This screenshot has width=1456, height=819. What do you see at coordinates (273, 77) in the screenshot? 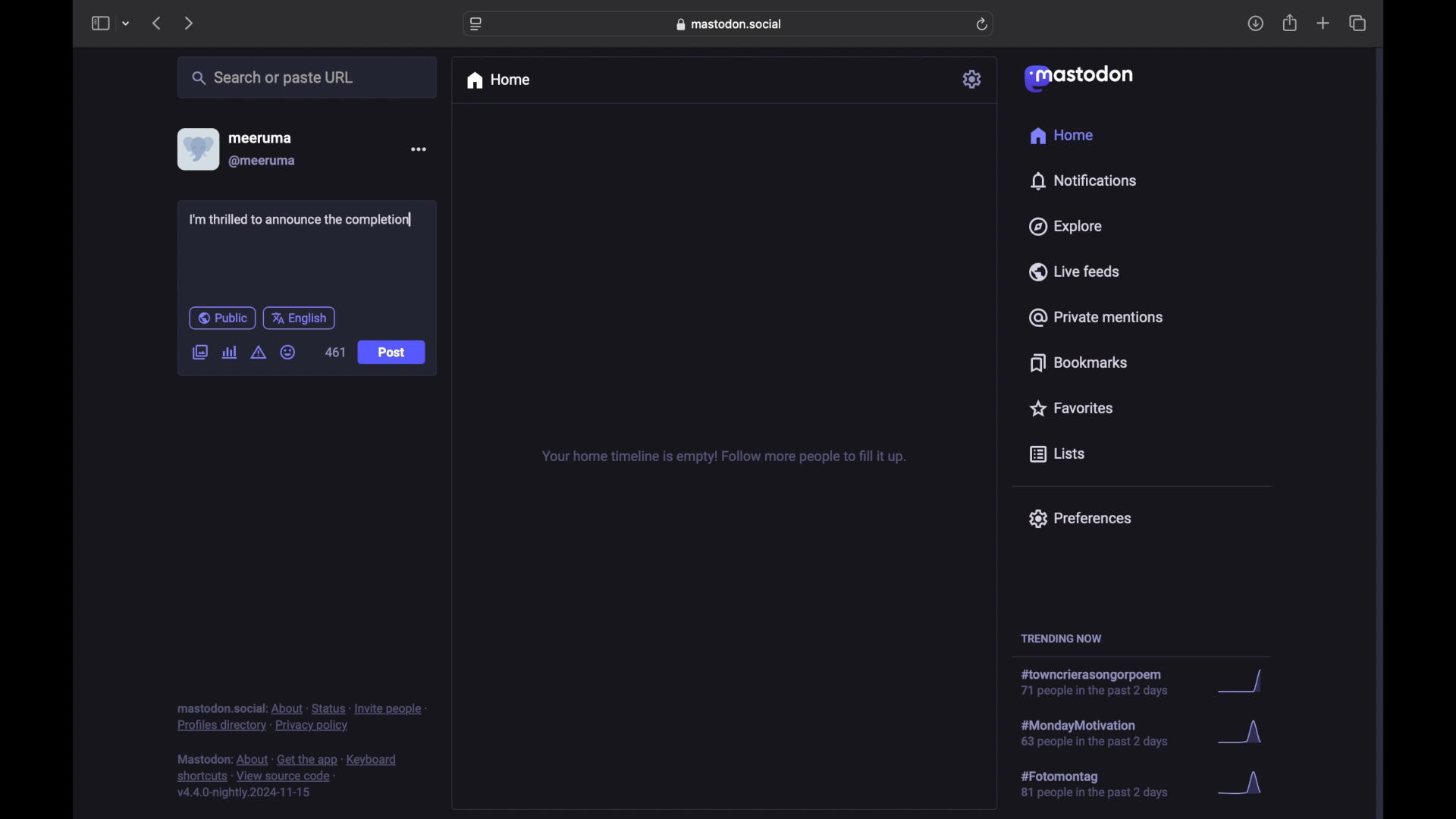
I see `share or paste url` at bounding box center [273, 77].